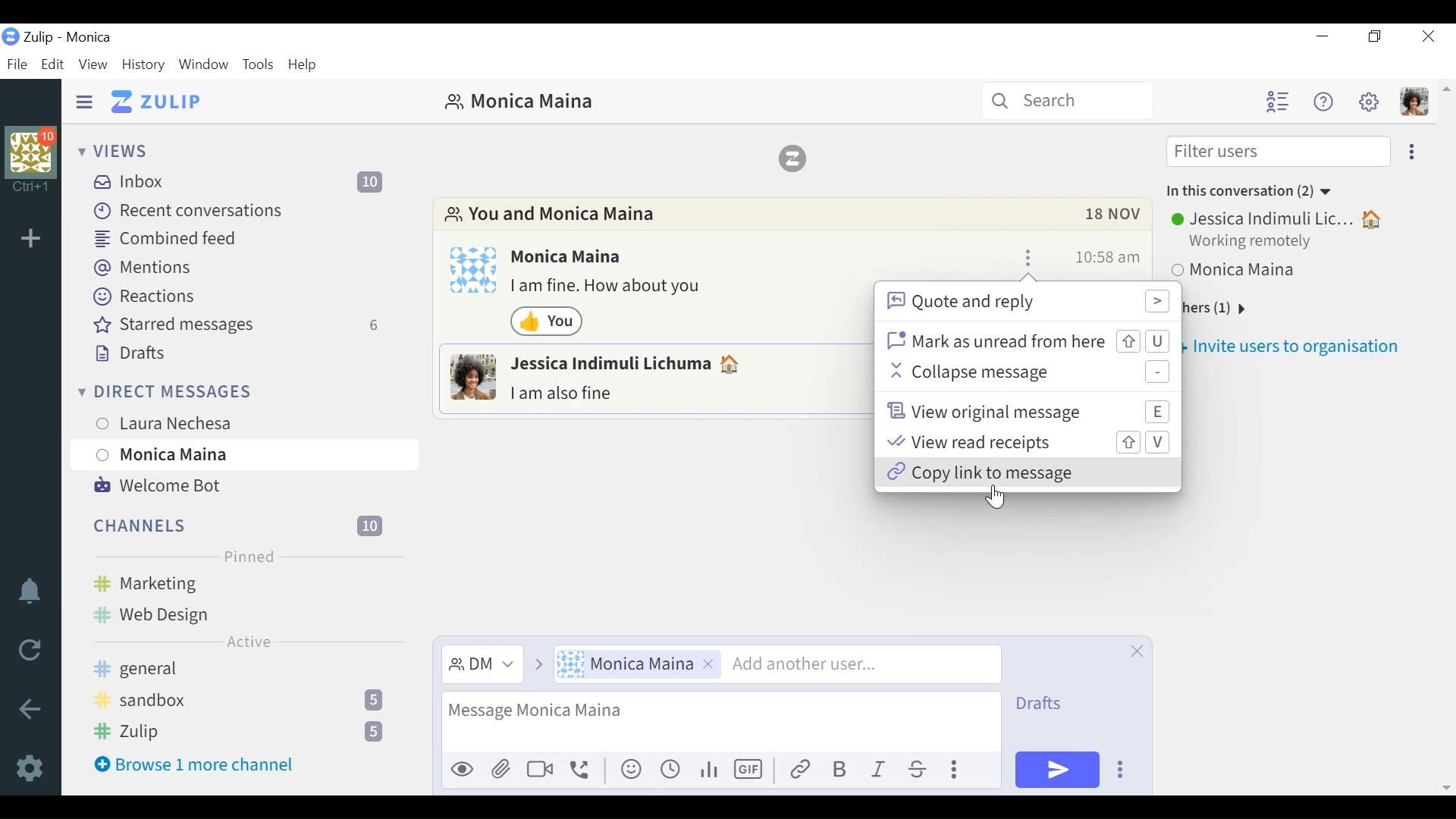 Image resolution: width=1456 pixels, height=819 pixels. Describe the element at coordinates (1278, 152) in the screenshot. I see `Filter users` at that location.